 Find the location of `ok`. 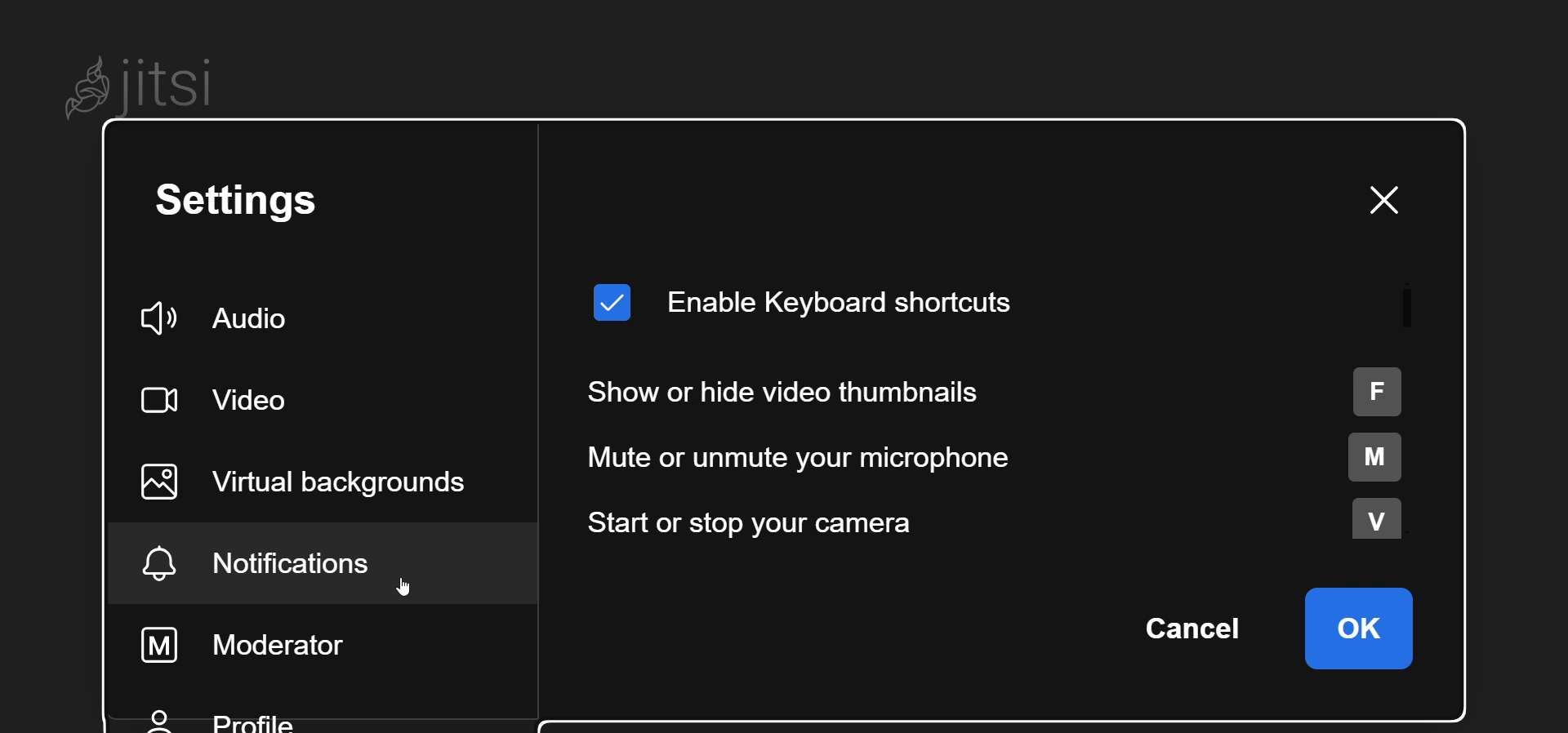

ok is located at coordinates (1363, 630).